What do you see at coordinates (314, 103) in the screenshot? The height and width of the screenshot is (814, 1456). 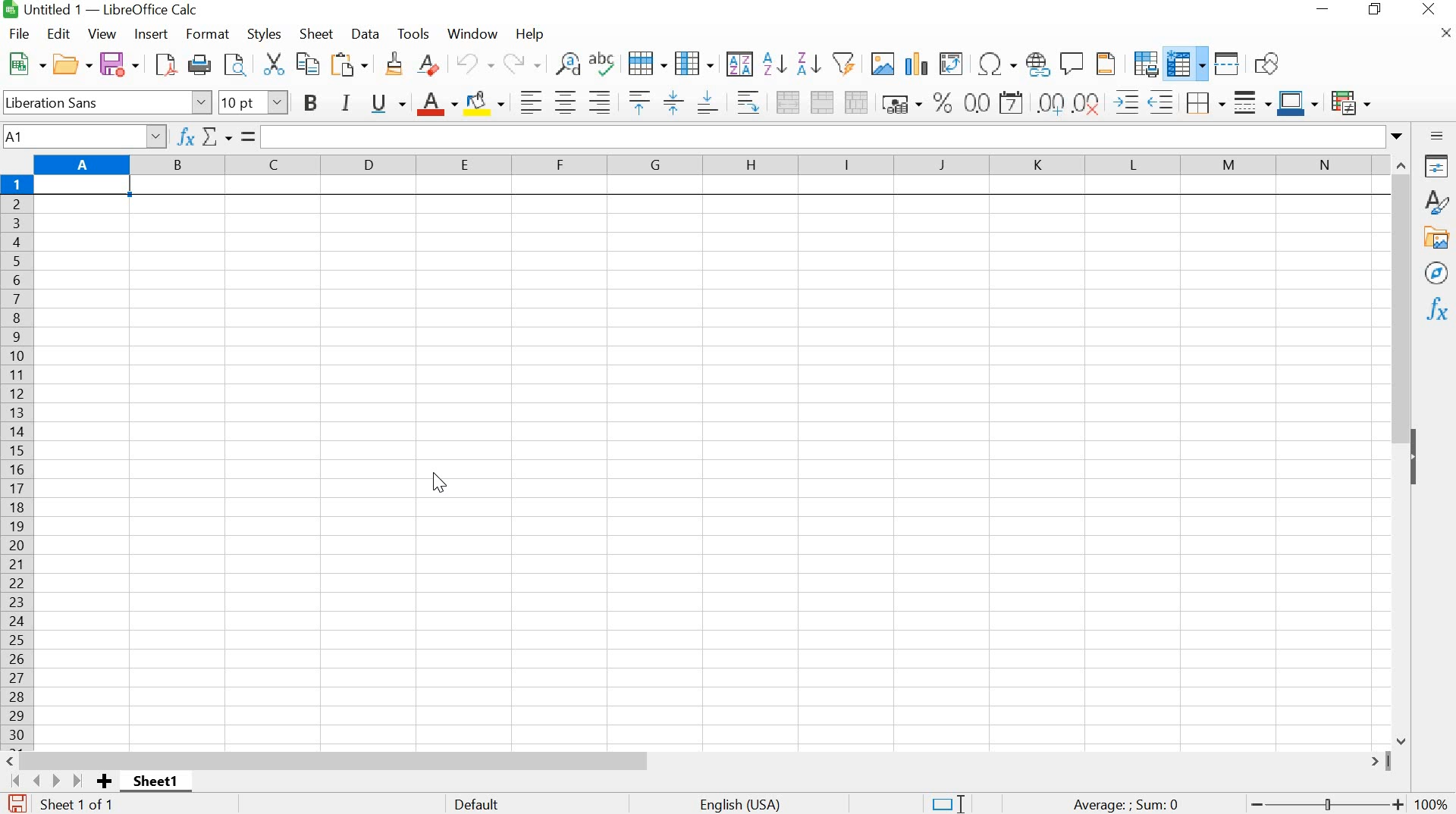 I see `BOLD` at bounding box center [314, 103].